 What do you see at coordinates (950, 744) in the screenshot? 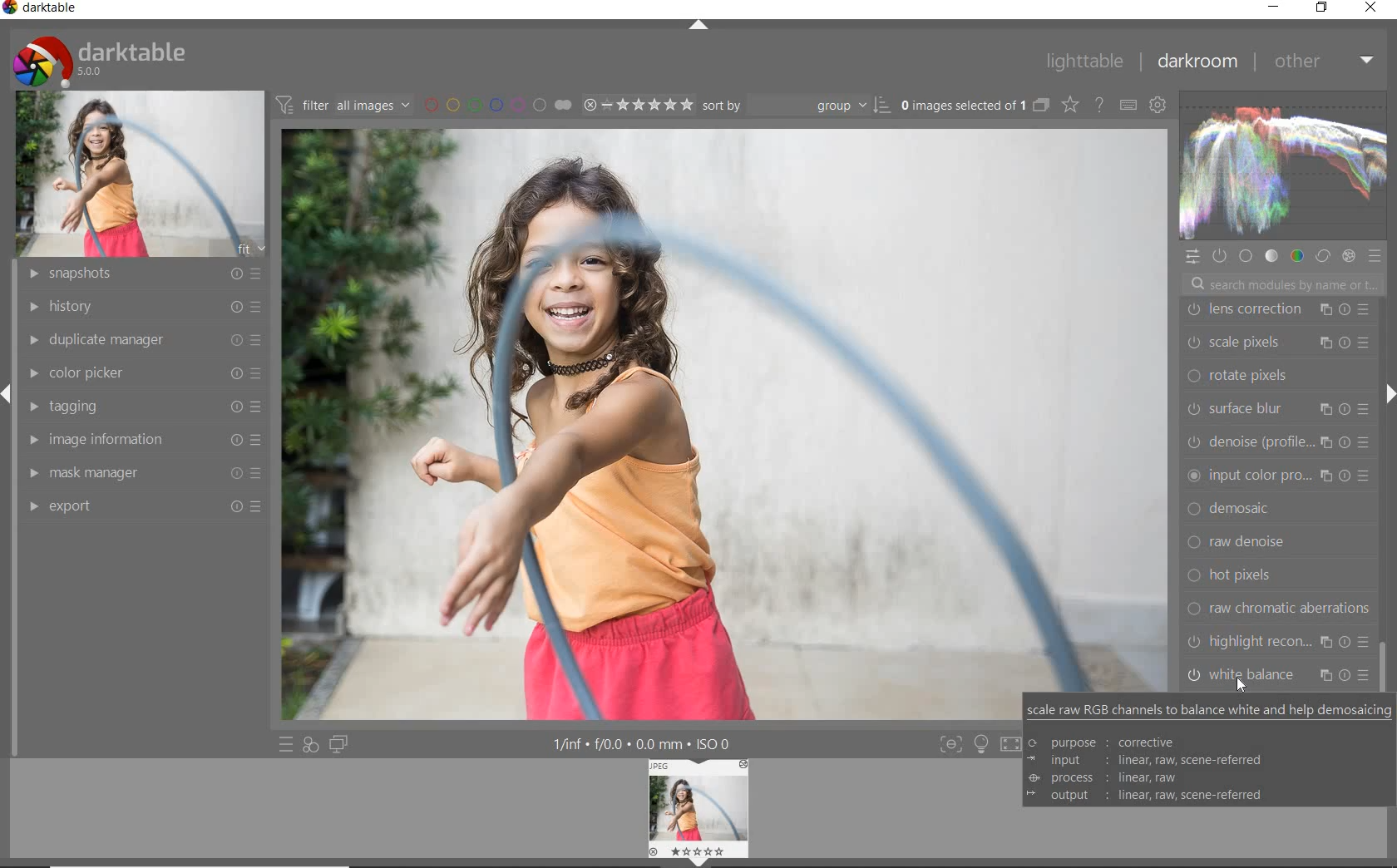
I see `toggle mode` at bounding box center [950, 744].